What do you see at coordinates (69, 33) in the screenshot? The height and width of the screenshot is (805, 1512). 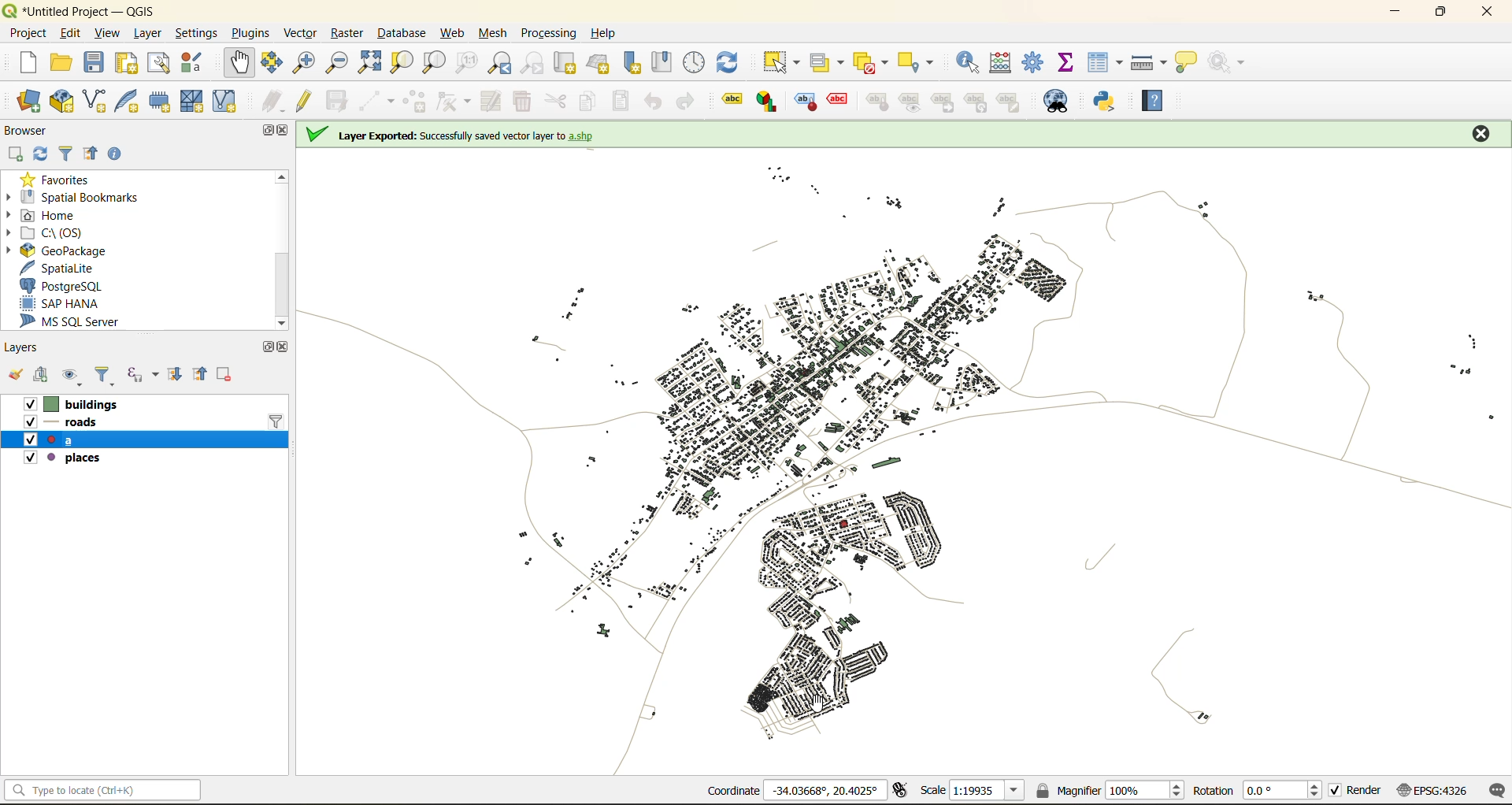 I see `edit` at bounding box center [69, 33].